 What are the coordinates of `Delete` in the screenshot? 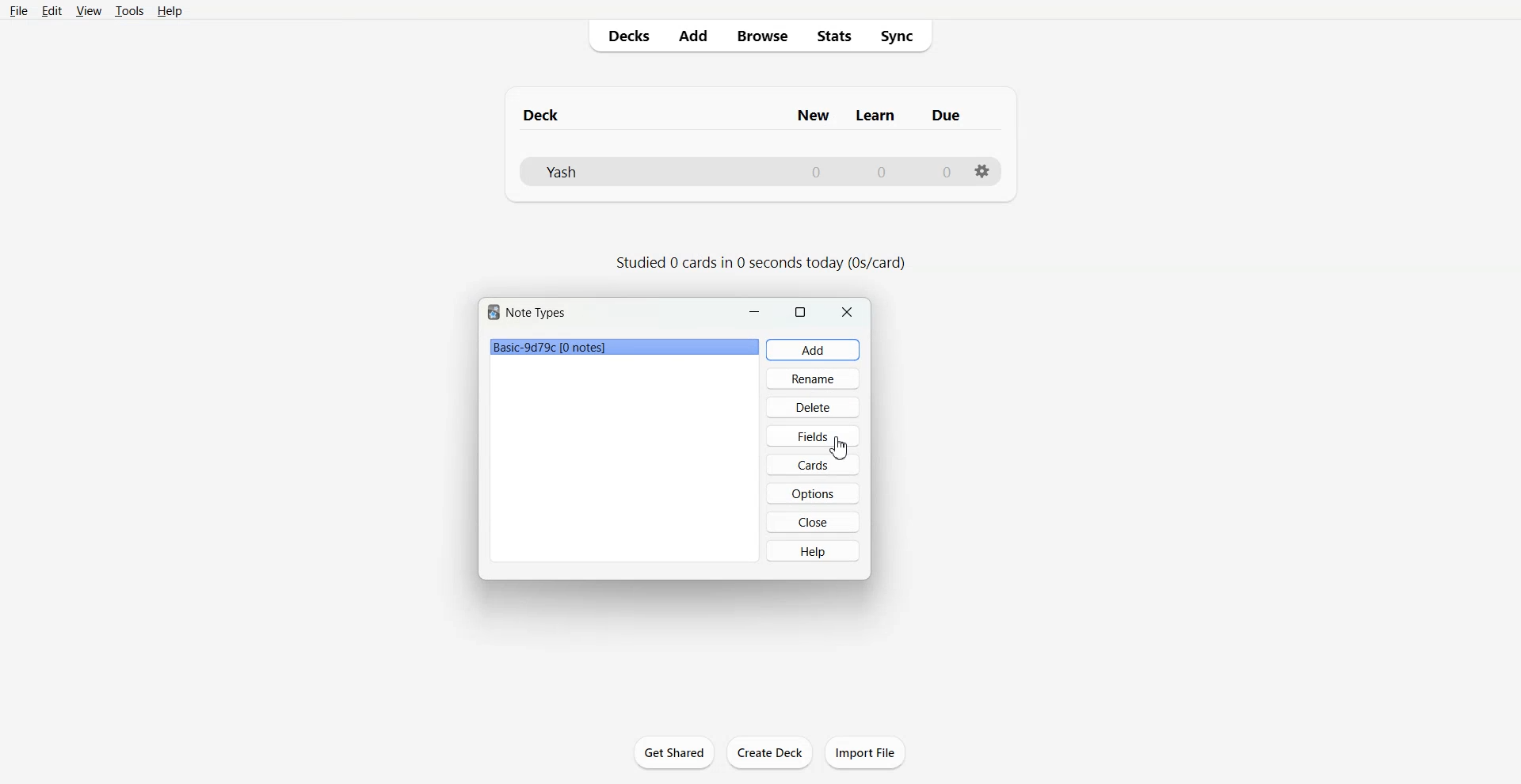 It's located at (814, 407).